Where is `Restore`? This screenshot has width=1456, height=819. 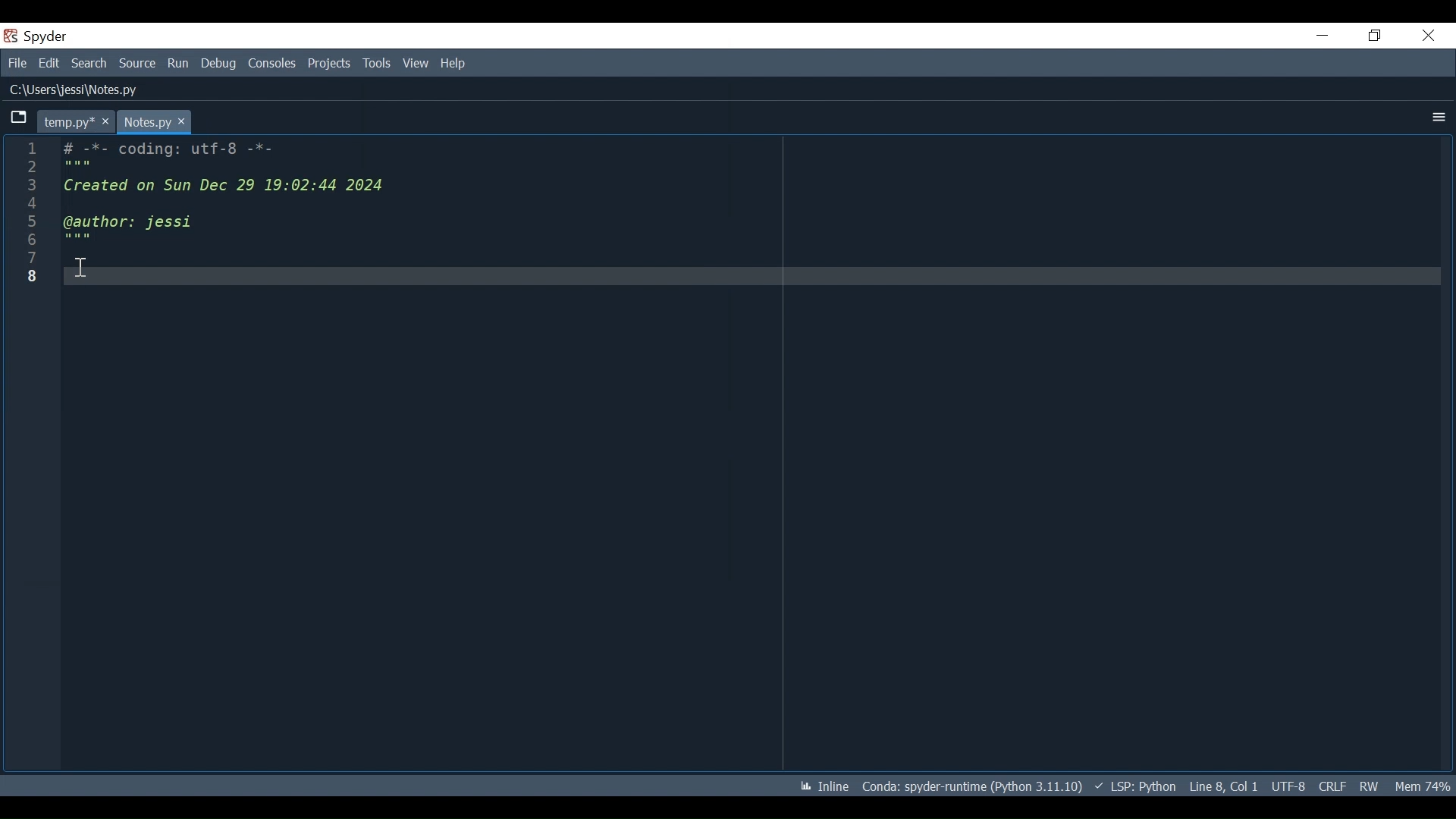 Restore is located at coordinates (1373, 36).